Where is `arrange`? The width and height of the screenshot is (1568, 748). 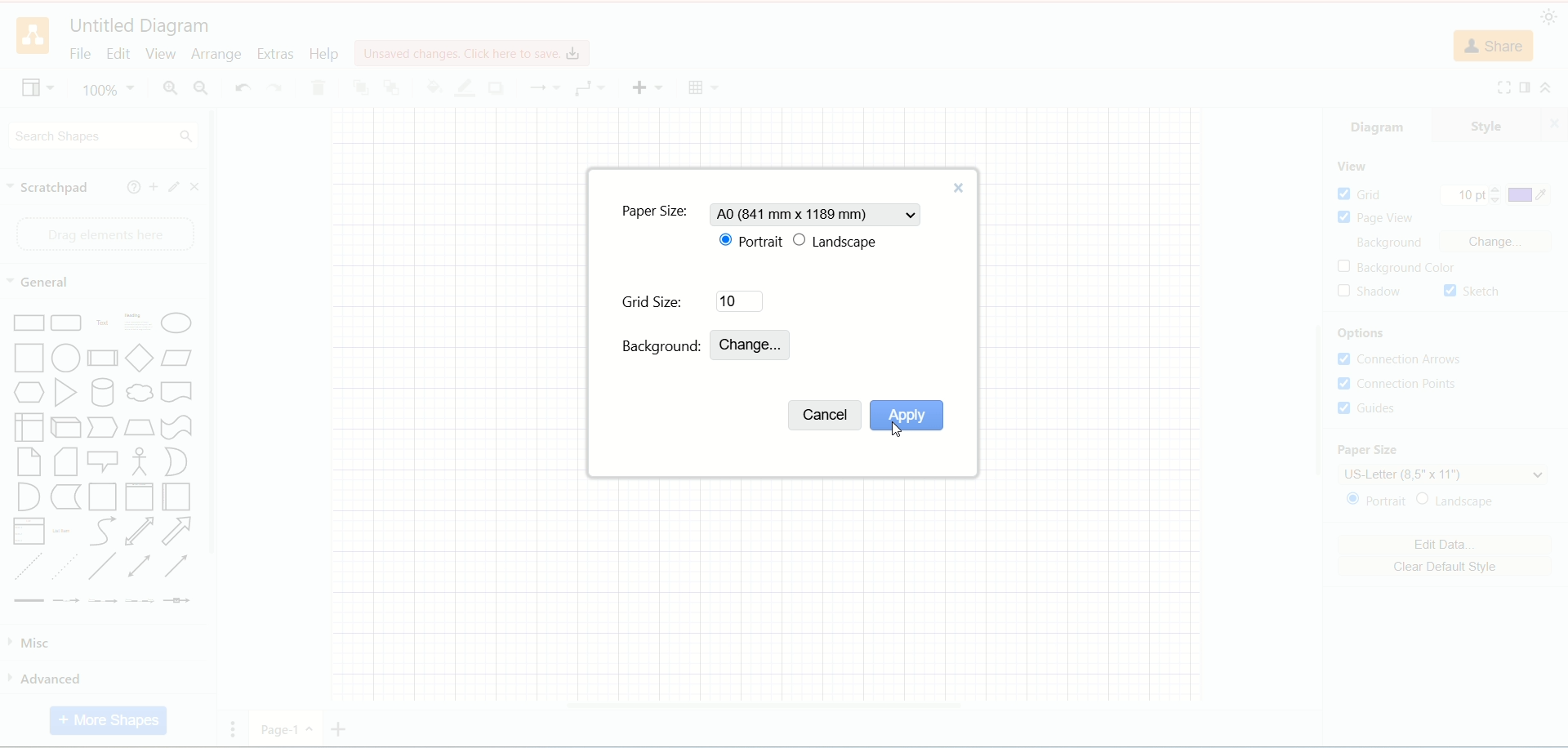
arrange is located at coordinates (216, 55).